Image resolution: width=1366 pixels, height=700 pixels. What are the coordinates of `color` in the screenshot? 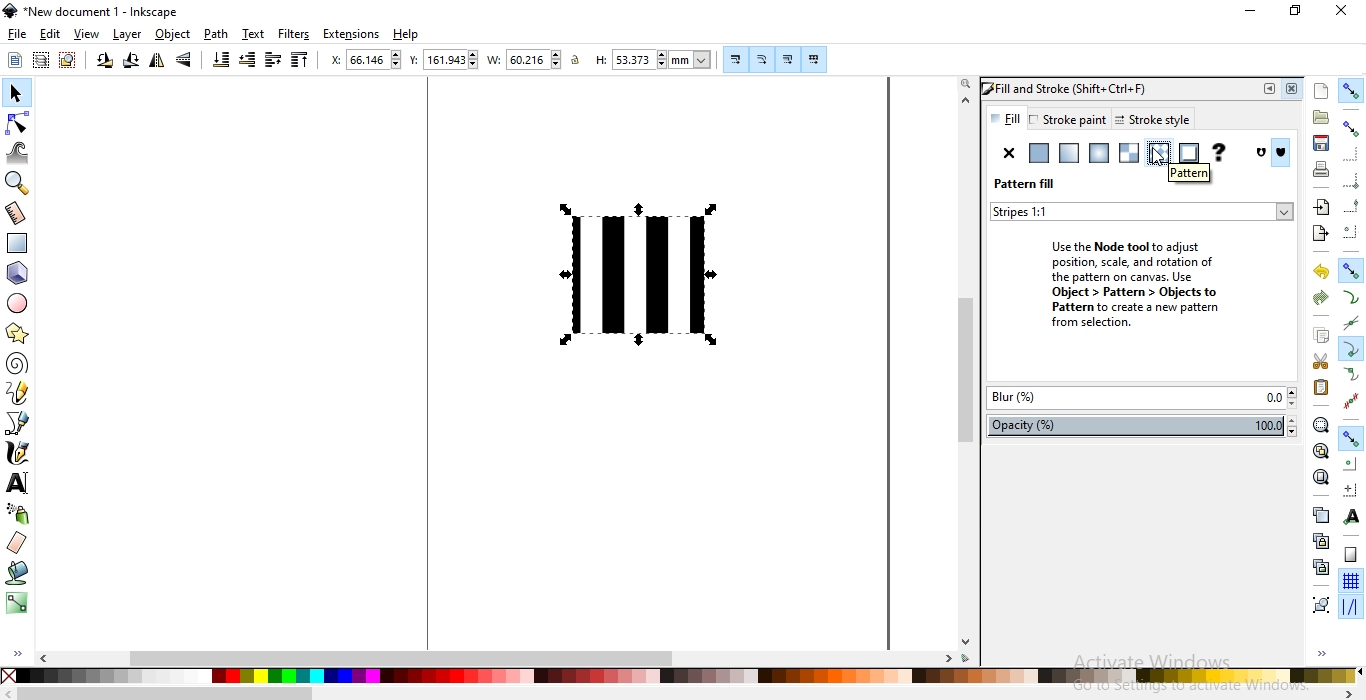 It's located at (679, 676).